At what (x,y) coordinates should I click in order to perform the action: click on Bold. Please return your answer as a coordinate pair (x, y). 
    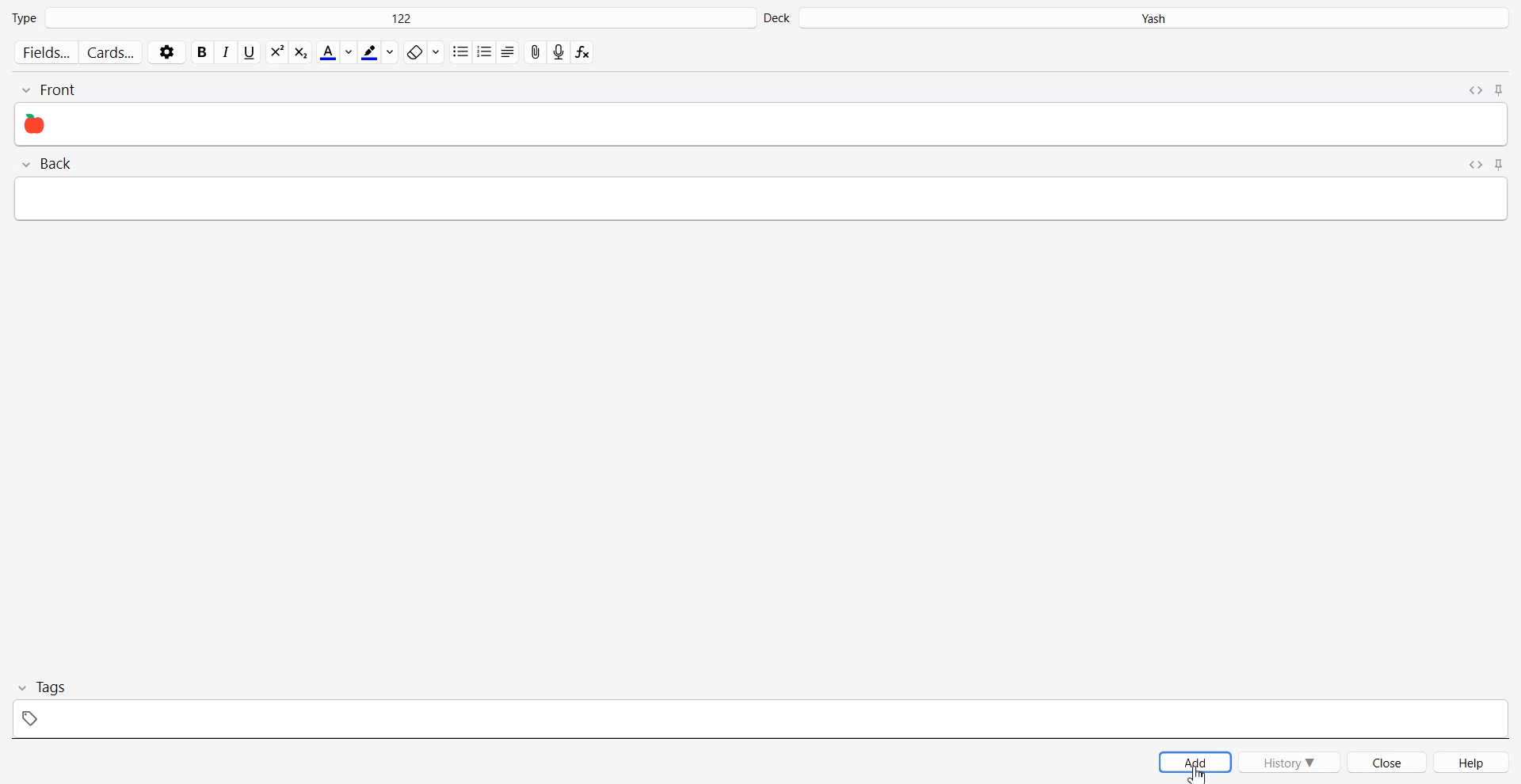
    Looking at the image, I should click on (202, 52).